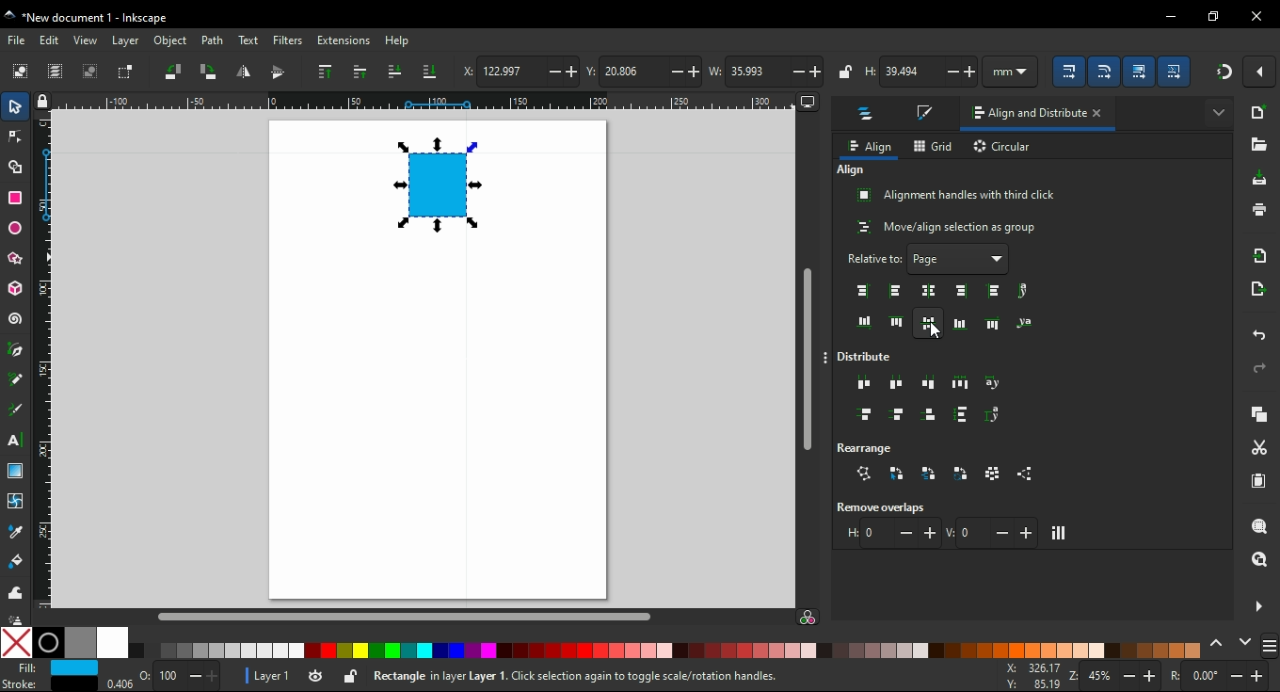  I want to click on distribute horizontally with even spacing between left edges, so click(865, 385).